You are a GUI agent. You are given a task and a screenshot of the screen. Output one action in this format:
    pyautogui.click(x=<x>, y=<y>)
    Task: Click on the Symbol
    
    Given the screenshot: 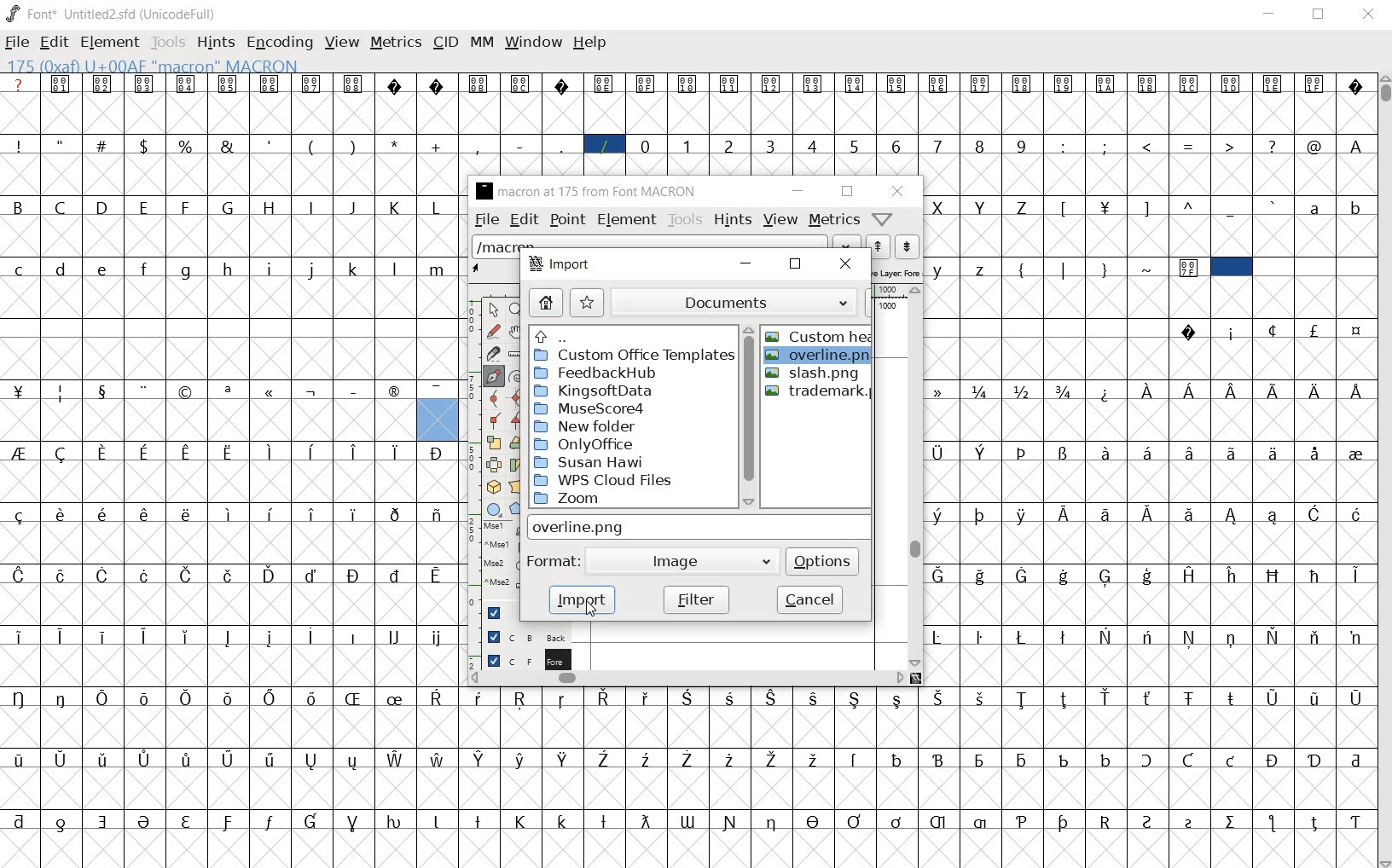 What is the action you would take?
    pyautogui.click(x=189, y=698)
    